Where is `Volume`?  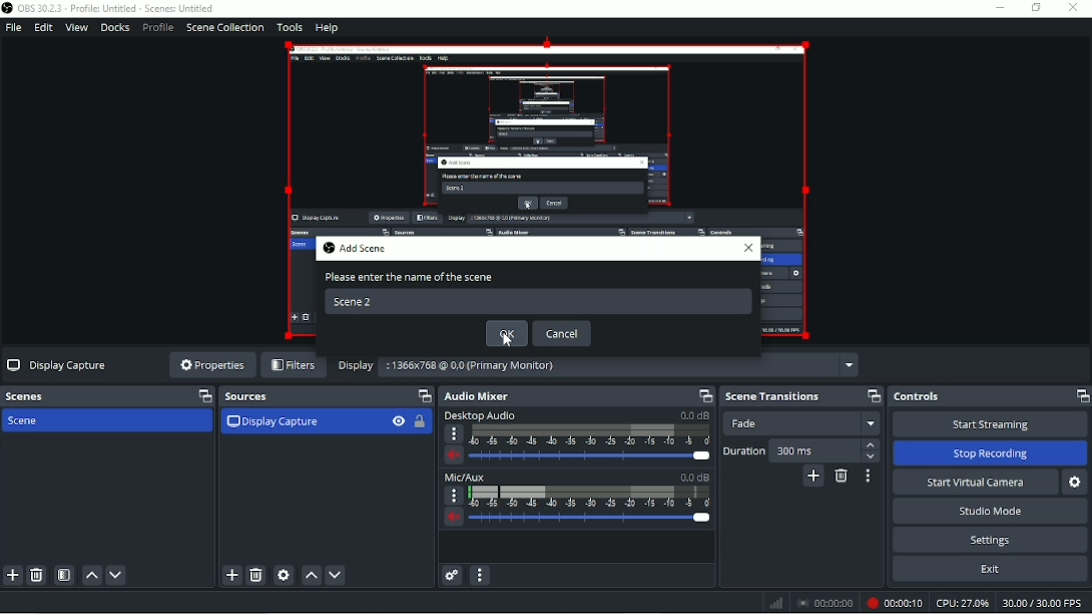
Volume is located at coordinates (455, 456).